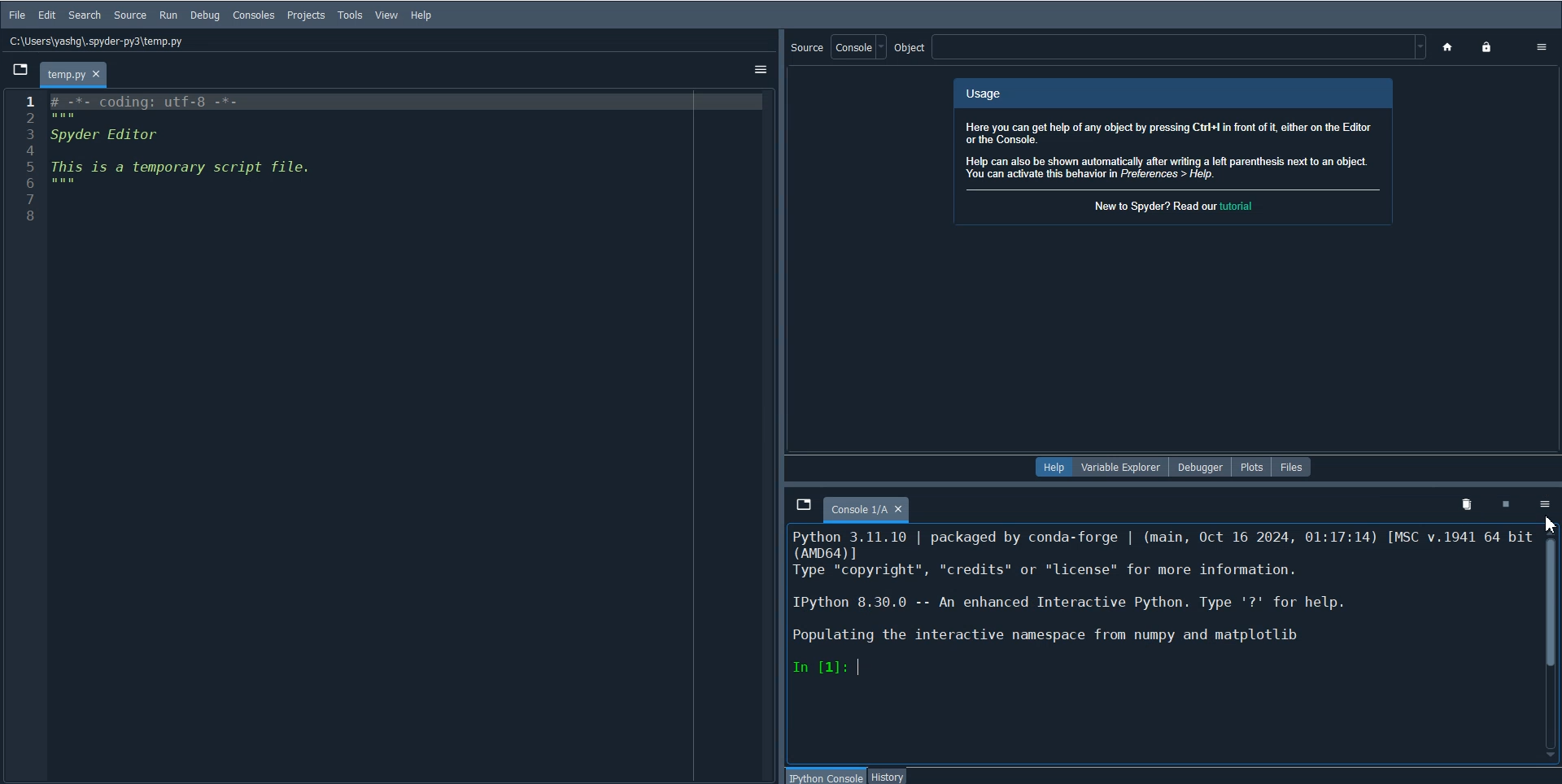 Image resolution: width=1562 pixels, height=784 pixels. I want to click on File, so click(18, 15).